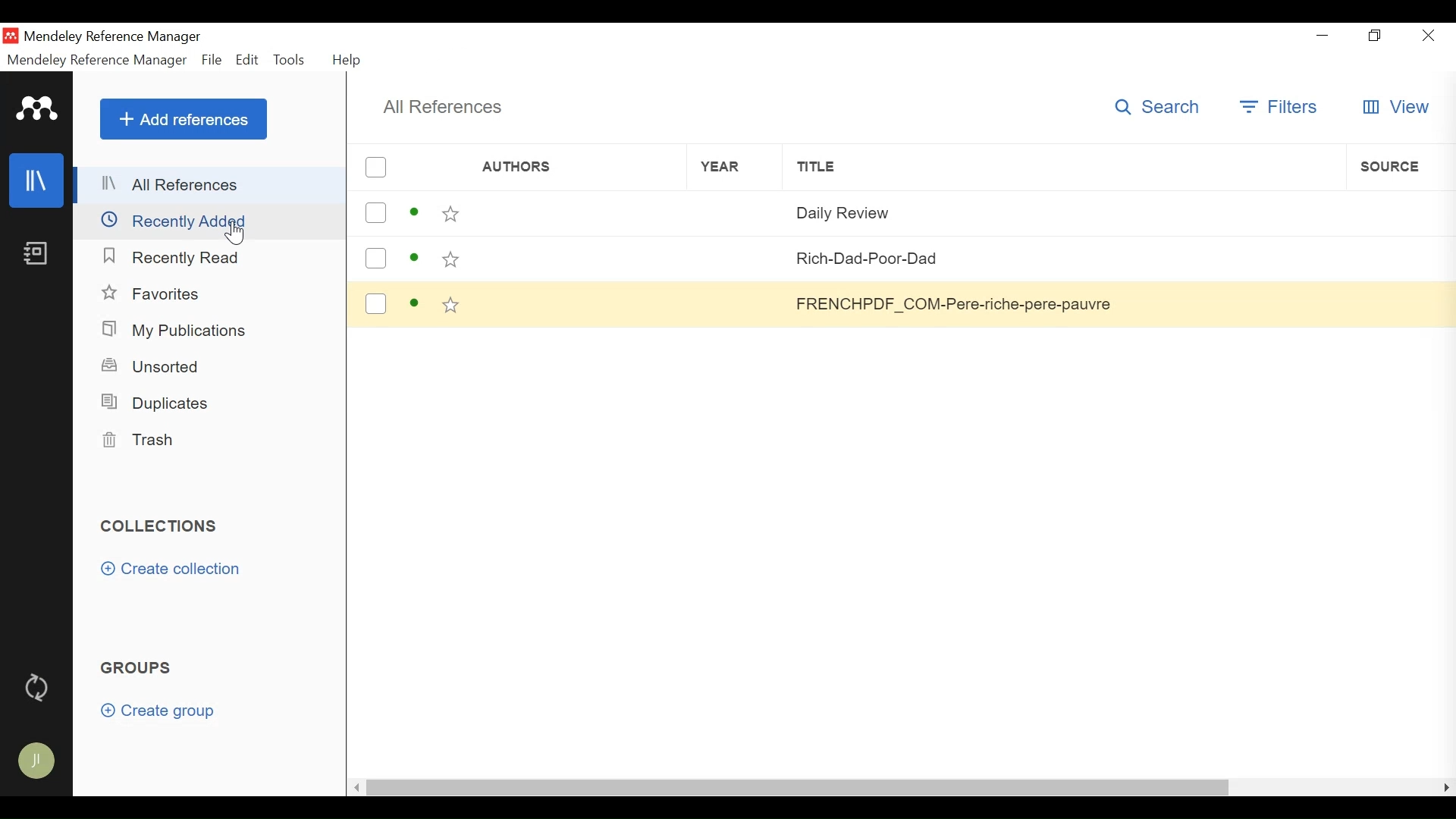 This screenshot has height=819, width=1456. What do you see at coordinates (175, 569) in the screenshot?
I see `Create collection` at bounding box center [175, 569].